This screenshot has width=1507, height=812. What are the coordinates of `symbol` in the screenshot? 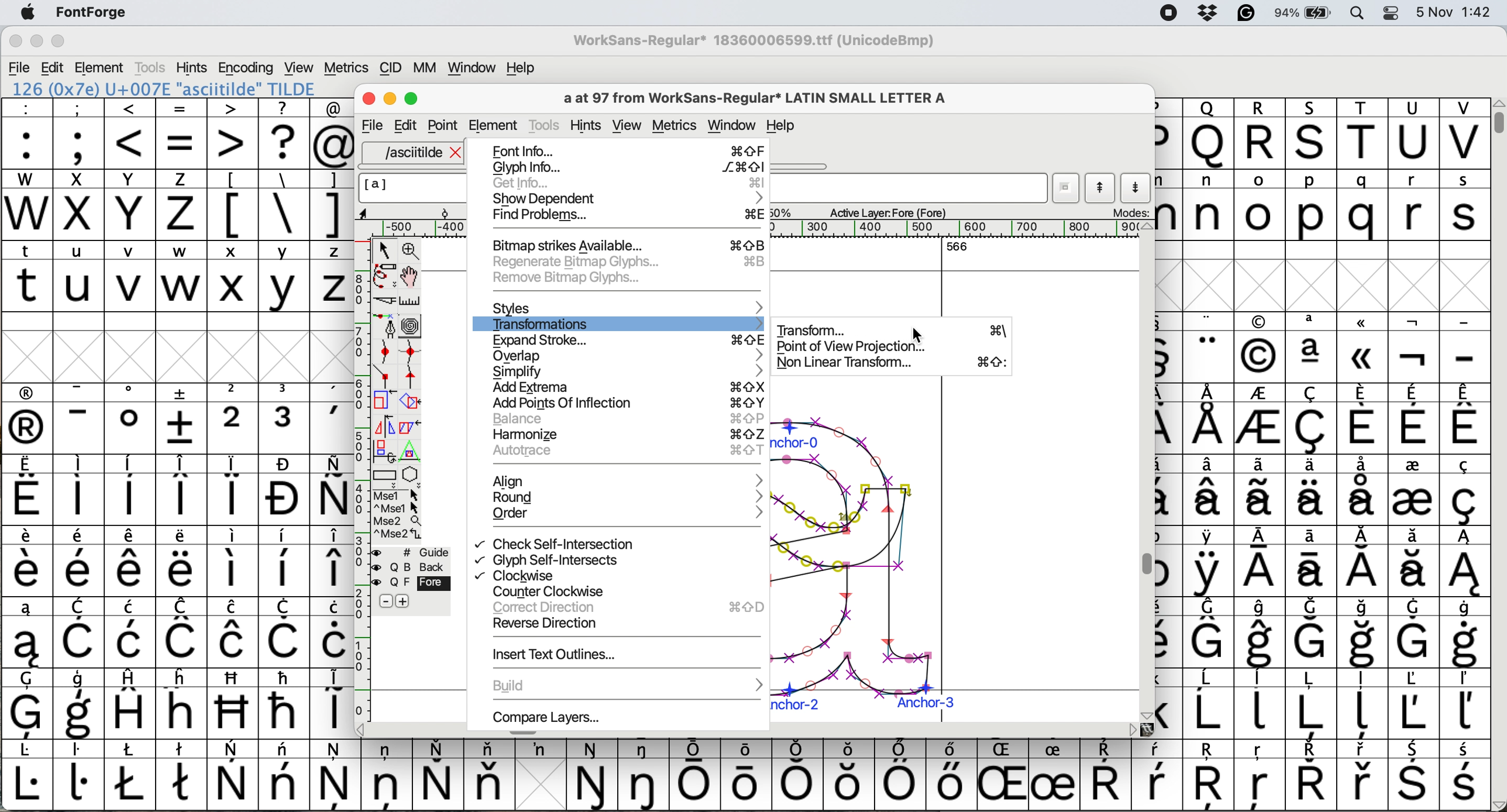 It's located at (27, 776).